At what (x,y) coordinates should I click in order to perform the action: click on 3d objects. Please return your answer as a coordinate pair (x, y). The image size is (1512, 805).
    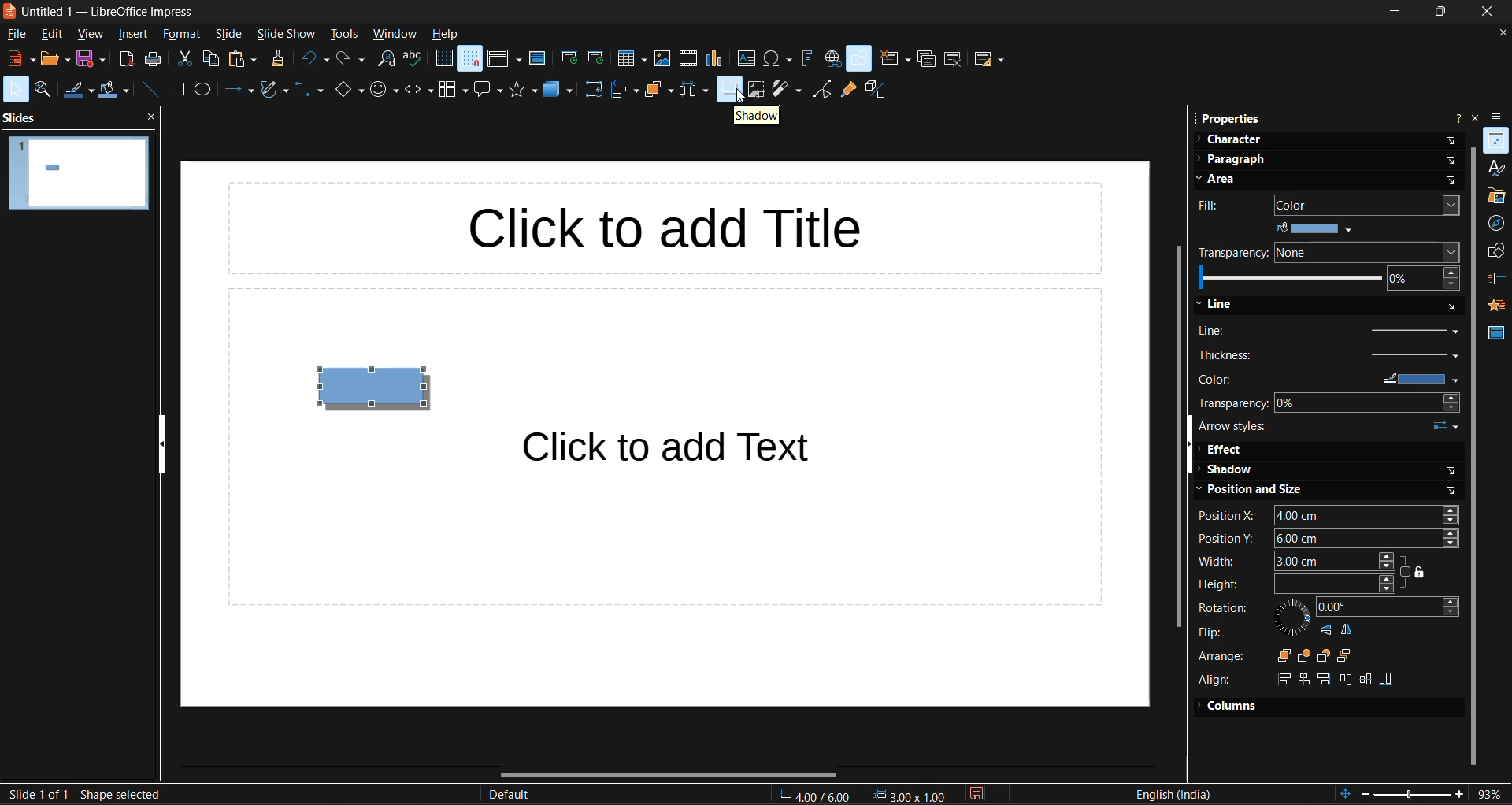
    Looking at the image, I should click on (558, 90).